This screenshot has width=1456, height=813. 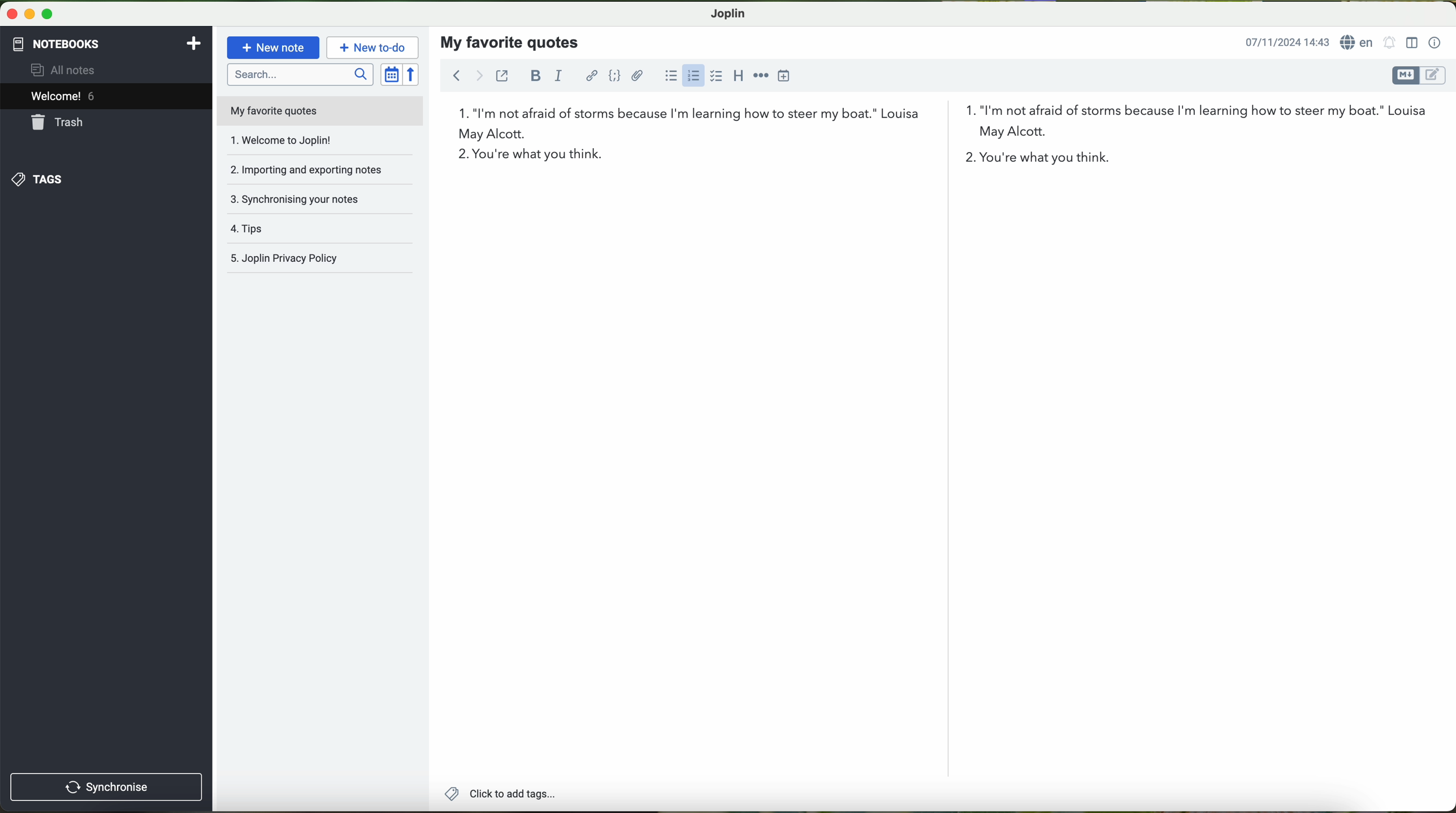 I want to click on maximize, so click(x=47, y=18).